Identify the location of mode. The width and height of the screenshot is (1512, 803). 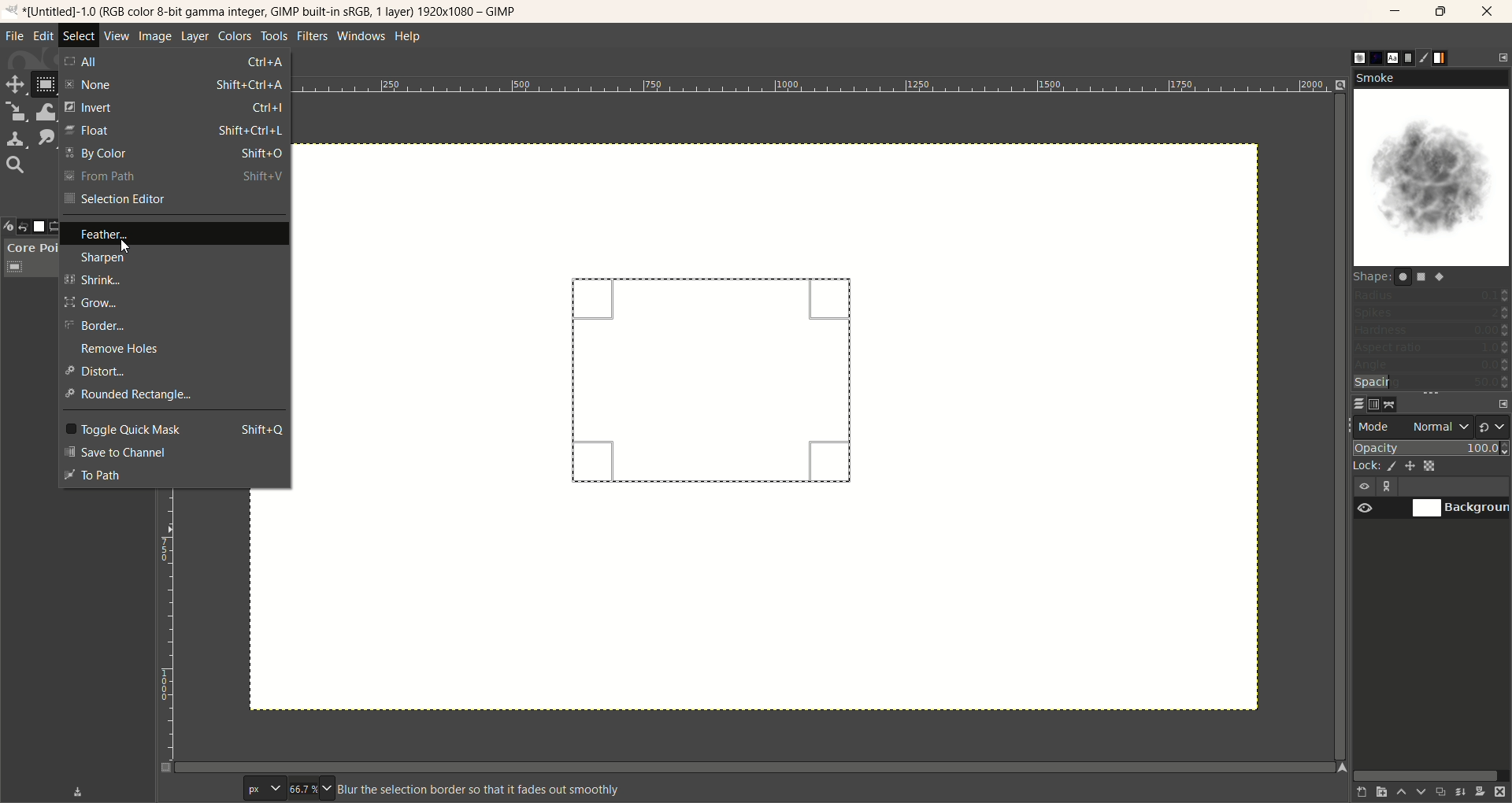
(1373, 426).